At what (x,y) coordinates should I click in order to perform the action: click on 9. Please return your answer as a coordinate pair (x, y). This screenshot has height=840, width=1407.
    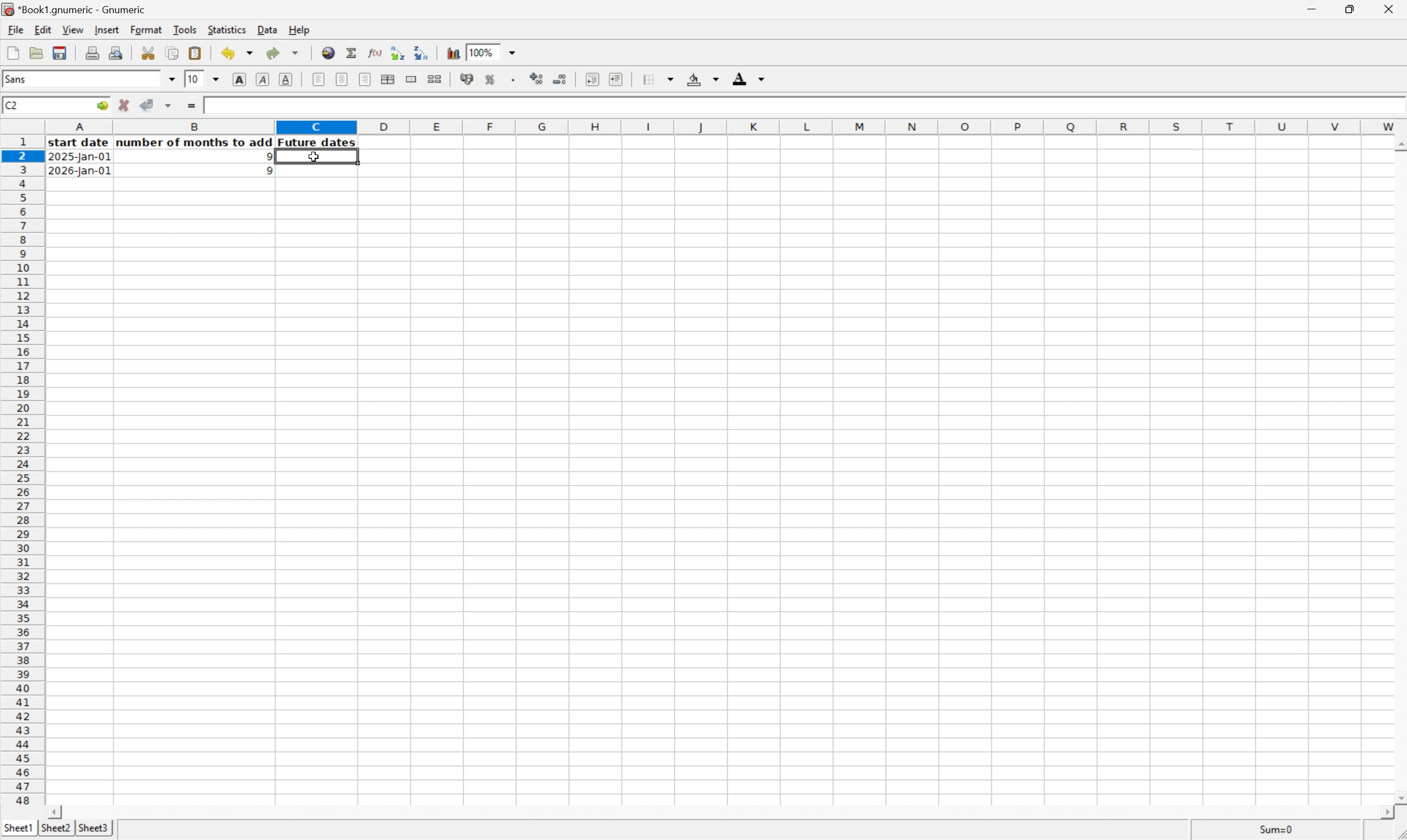
    Looking at the image, I should click on (265, 156).